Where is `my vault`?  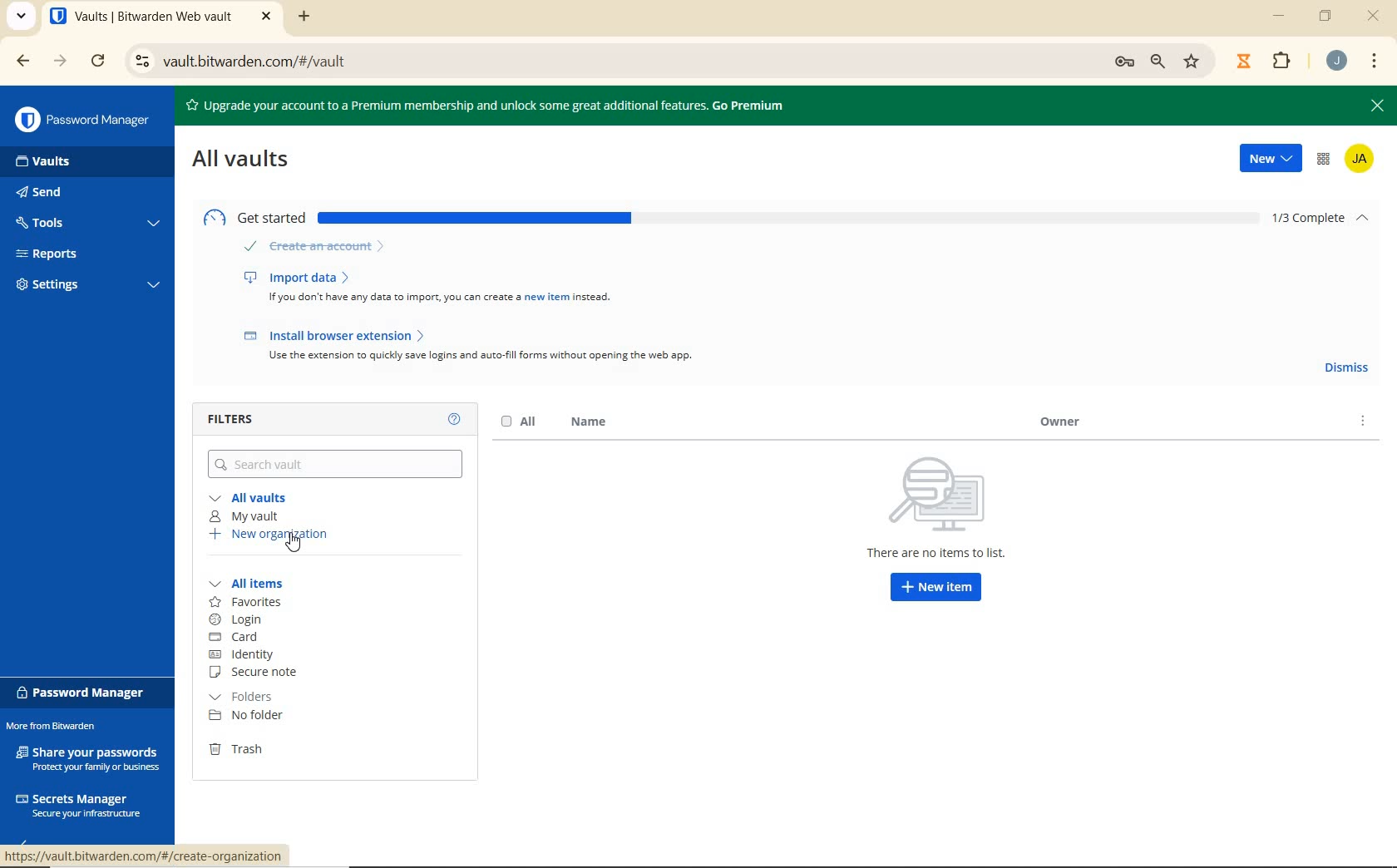 my vault is located at coordinates (243, 517).